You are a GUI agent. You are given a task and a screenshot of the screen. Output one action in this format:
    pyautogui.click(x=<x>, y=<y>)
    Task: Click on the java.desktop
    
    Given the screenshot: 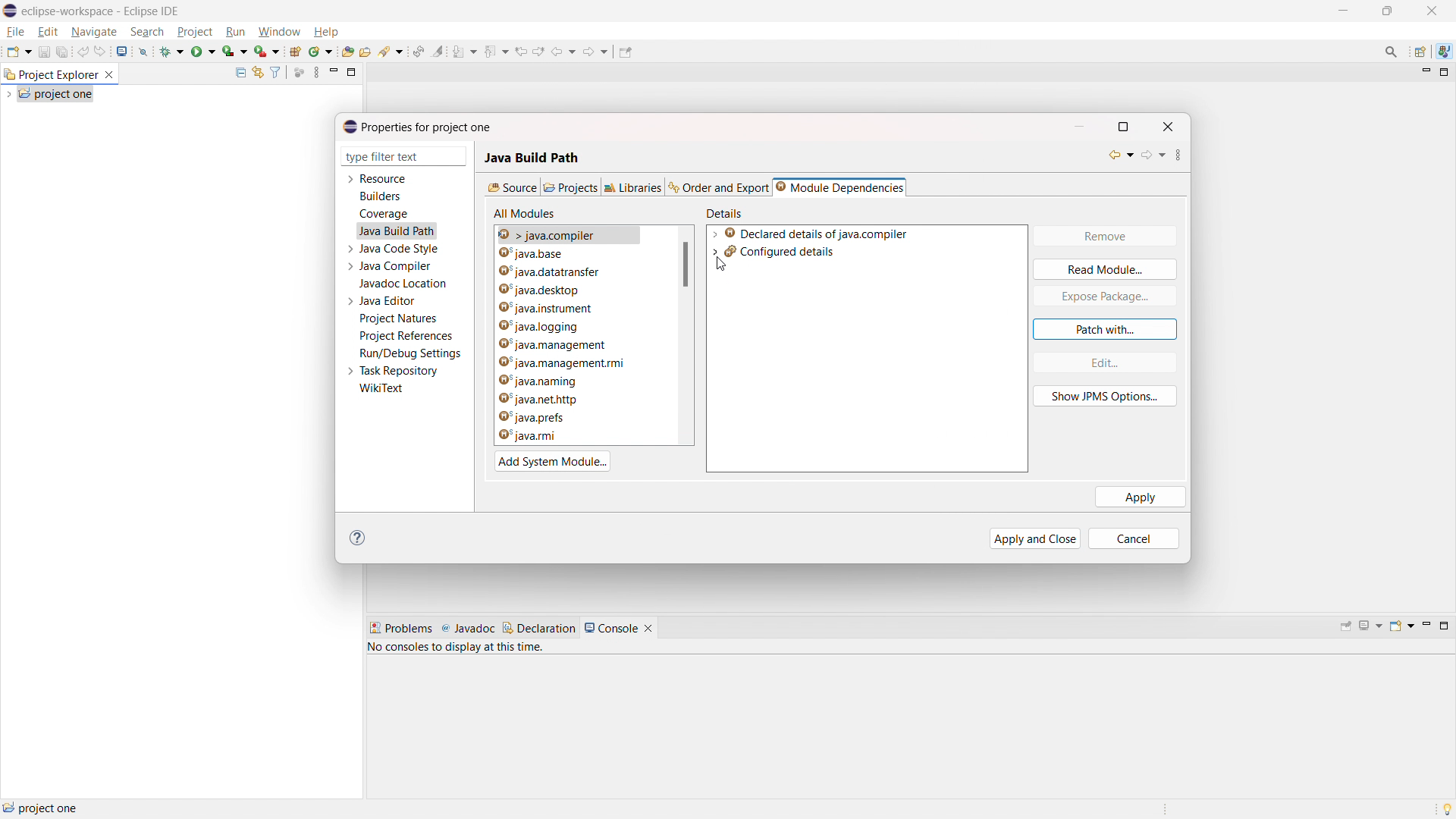 What is the action you would take?
    pyautogui.click(x=579, y=288)
    